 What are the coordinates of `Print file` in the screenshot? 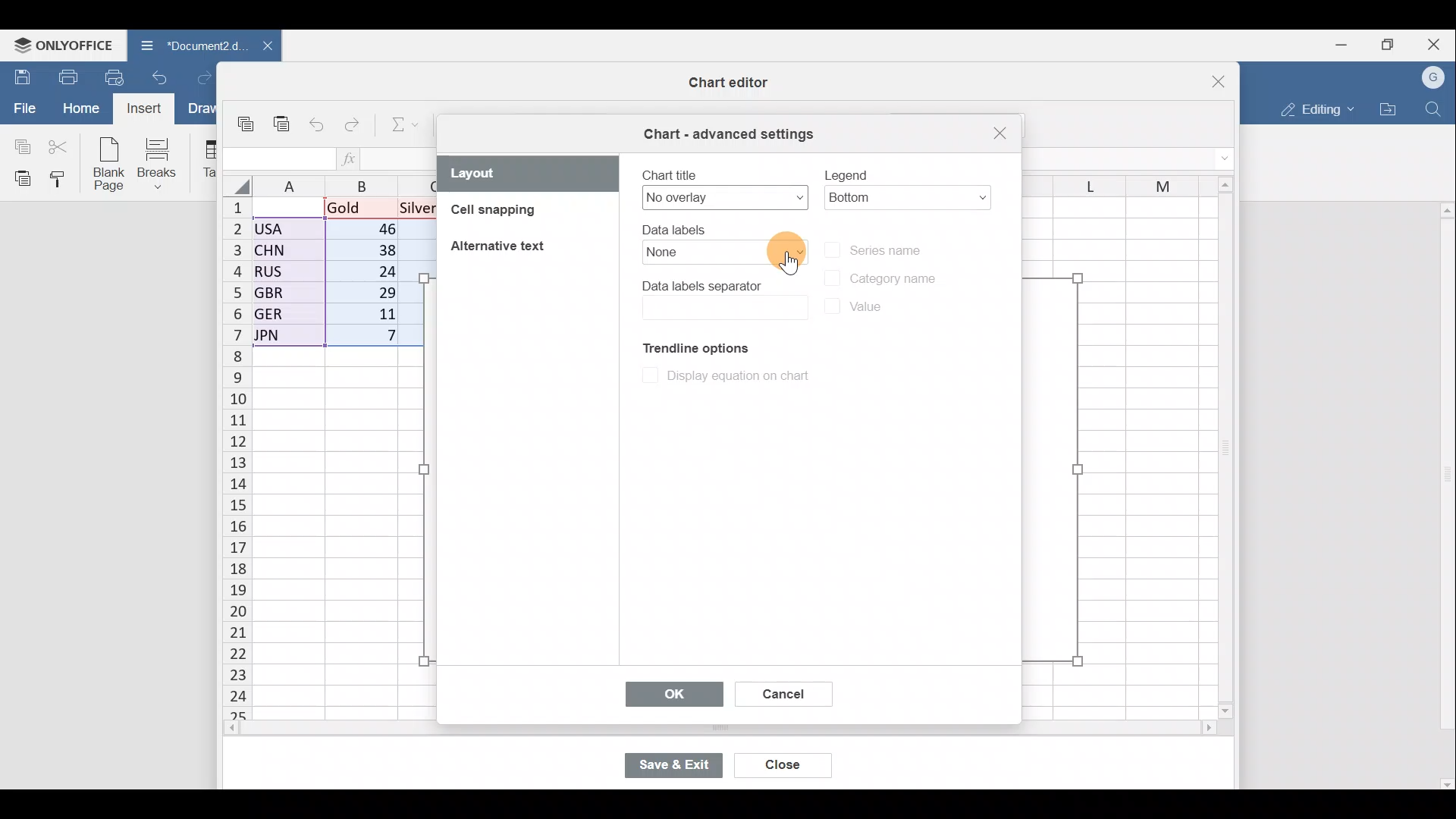 It's located at (67, 76).